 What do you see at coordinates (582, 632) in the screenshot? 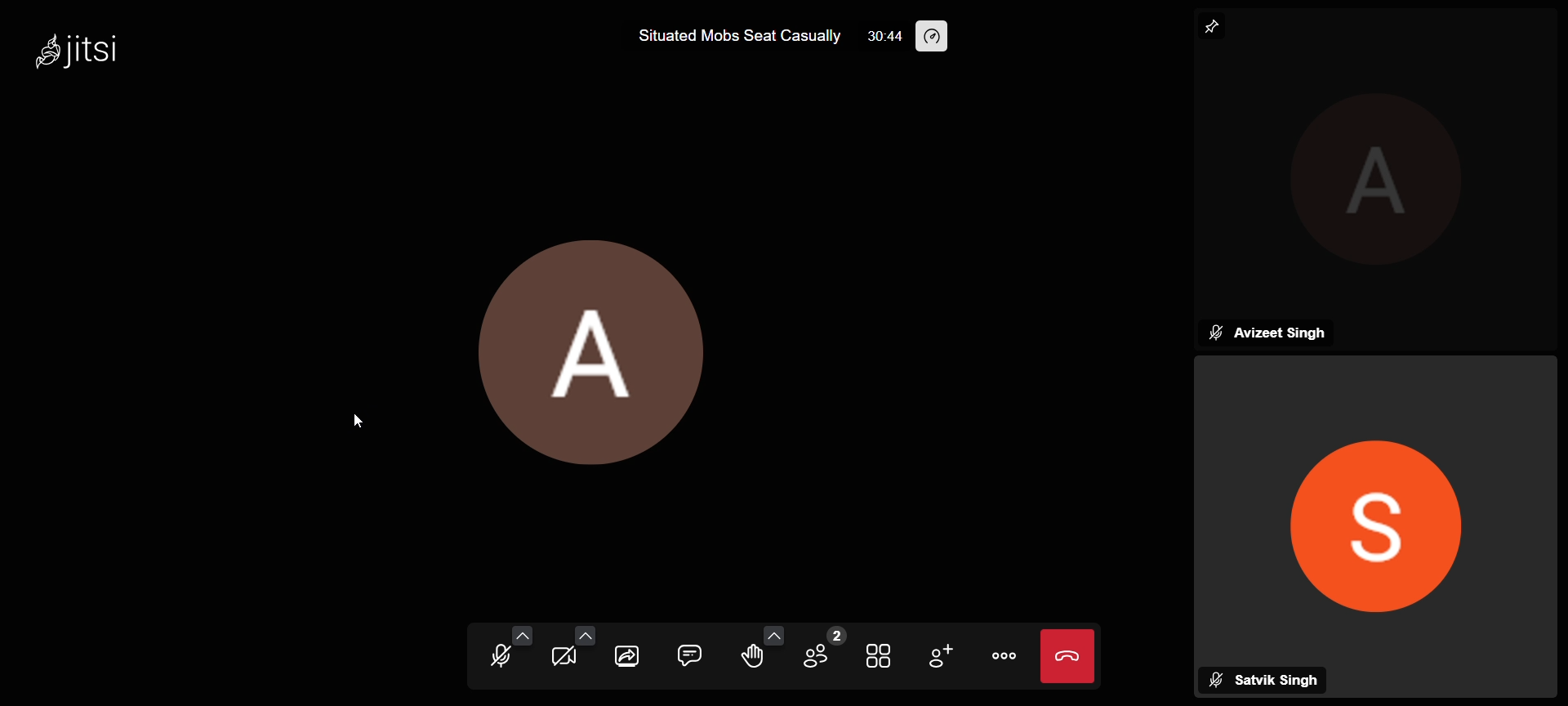
I see `video setting` at bounding box center [582, 632].